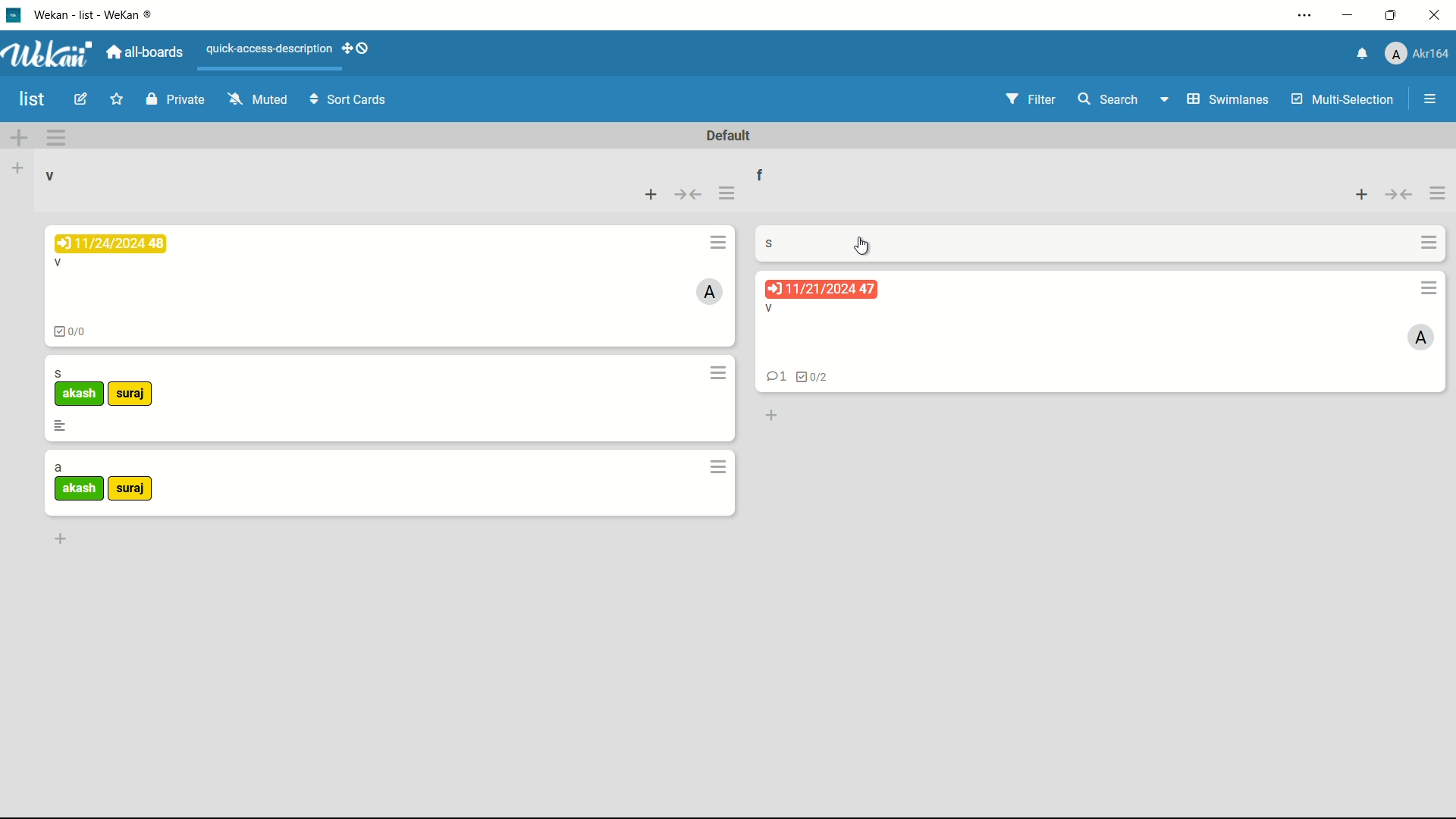 The width and height of the screenshot is (1456, 819). Describe the element at coordinates (720, 373) in the screenshot. I see `card actions` at that location.